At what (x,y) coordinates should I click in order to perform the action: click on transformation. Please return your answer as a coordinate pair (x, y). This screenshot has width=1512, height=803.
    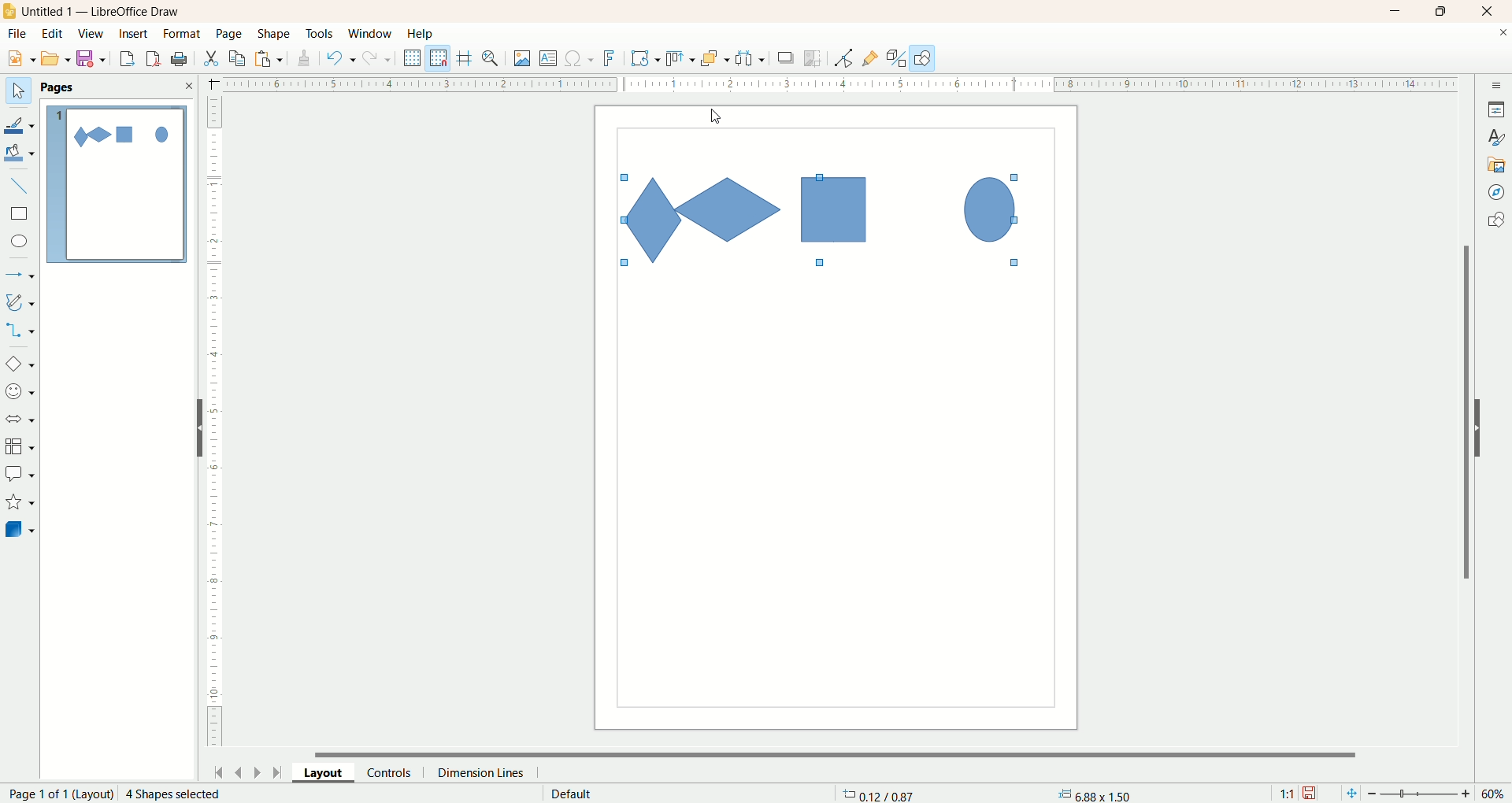
    Looking at the image, I should click on (646, 59).